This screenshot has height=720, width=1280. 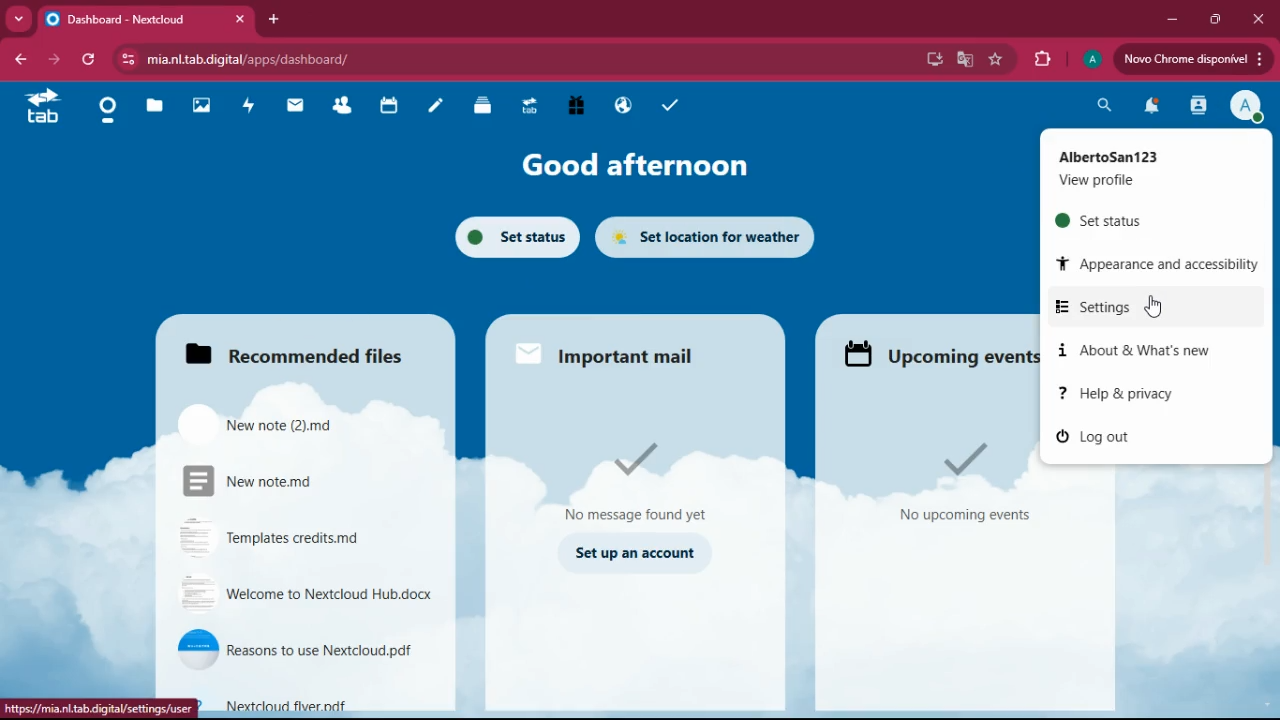 What do you see at coordinates (1158, 261) in the screenshot?
I see `appearance` at bounding box center [1158, 261].